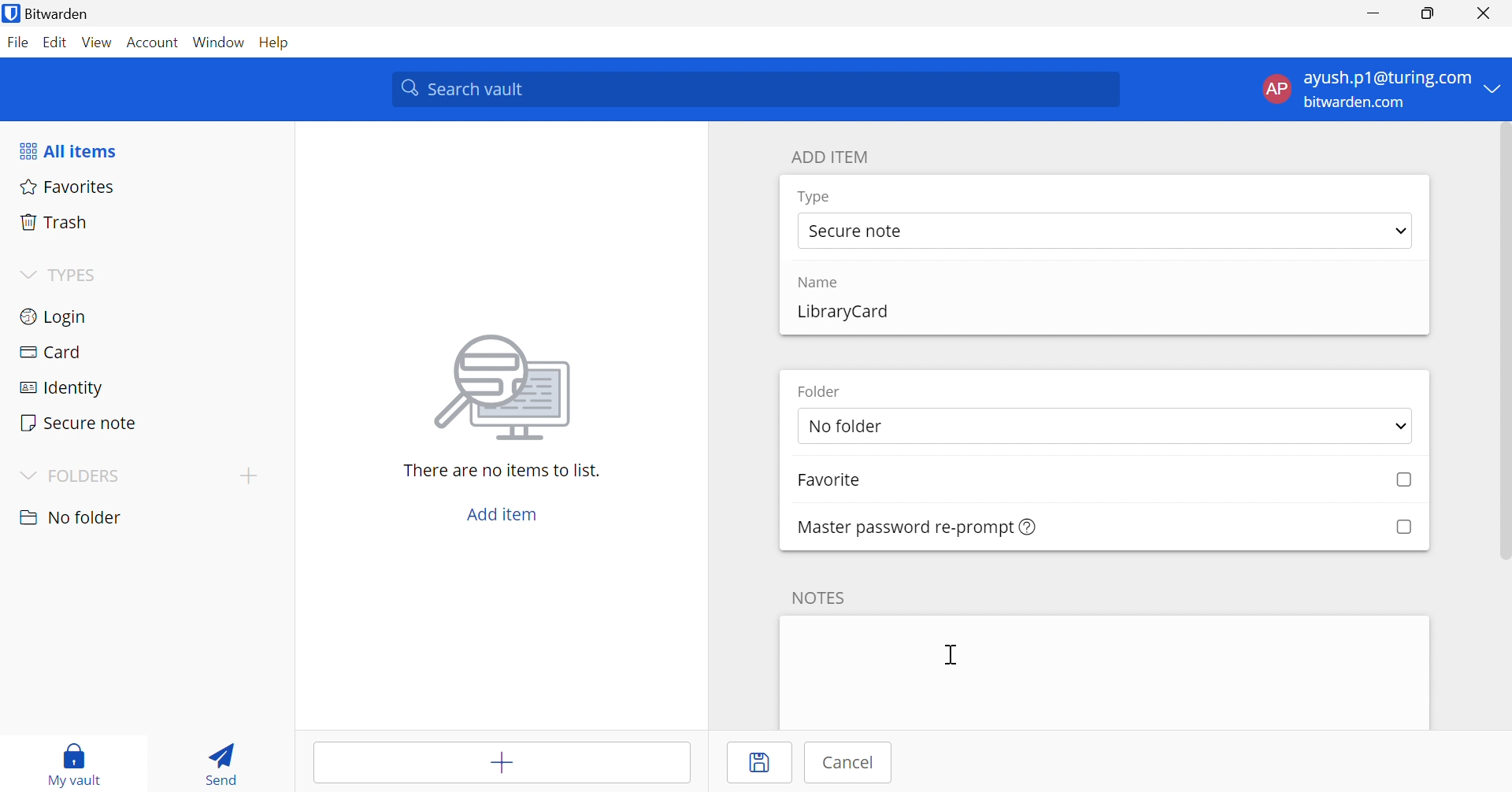 Image resolution: width=1512 pixels, height=792 pixels. What do you see at coordinates (843, 764) in the screenshot?
I see `Cancel` at bounding box center [843, 764].